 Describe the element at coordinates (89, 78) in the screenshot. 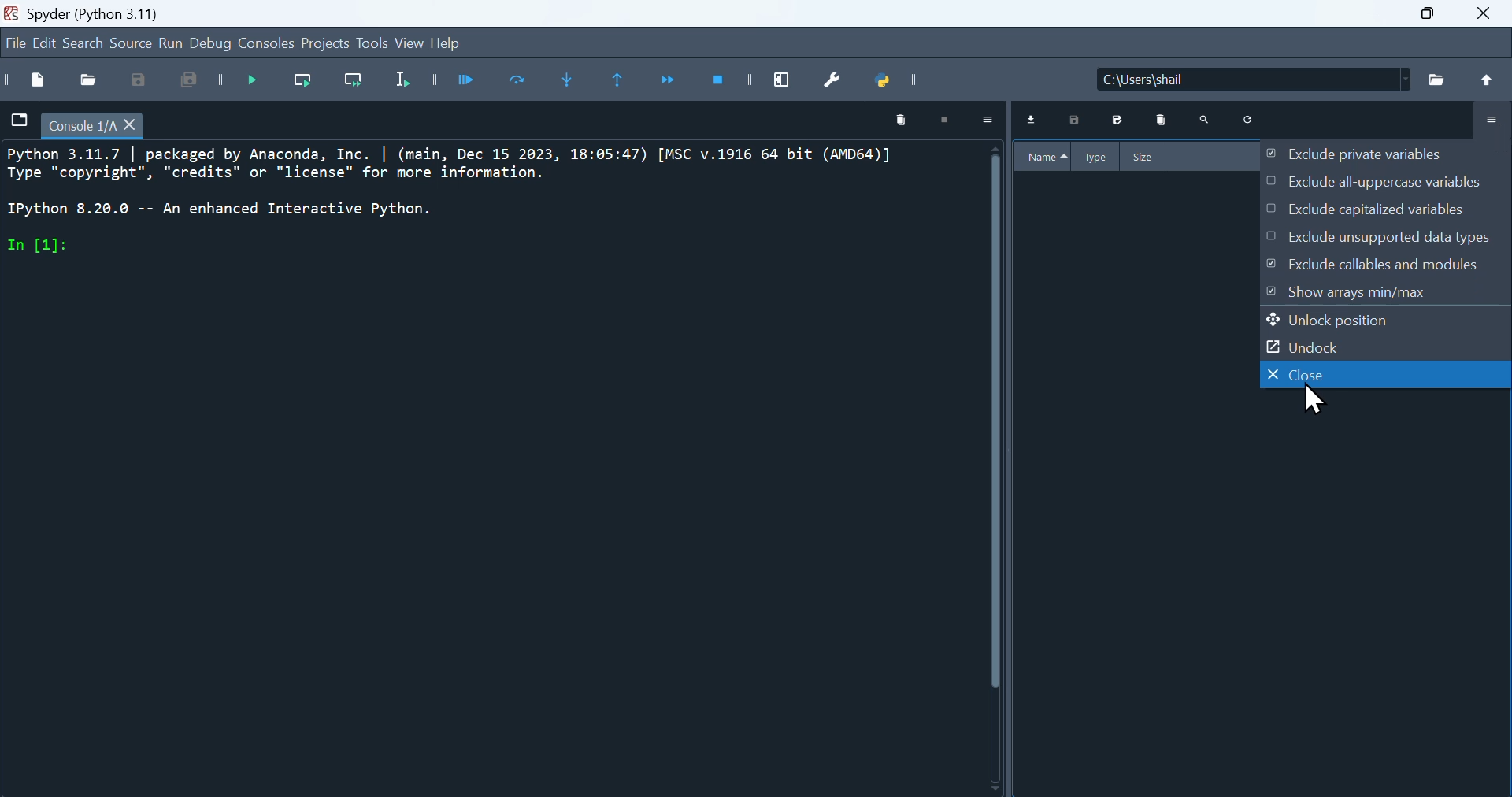

I see `open file` at that location.